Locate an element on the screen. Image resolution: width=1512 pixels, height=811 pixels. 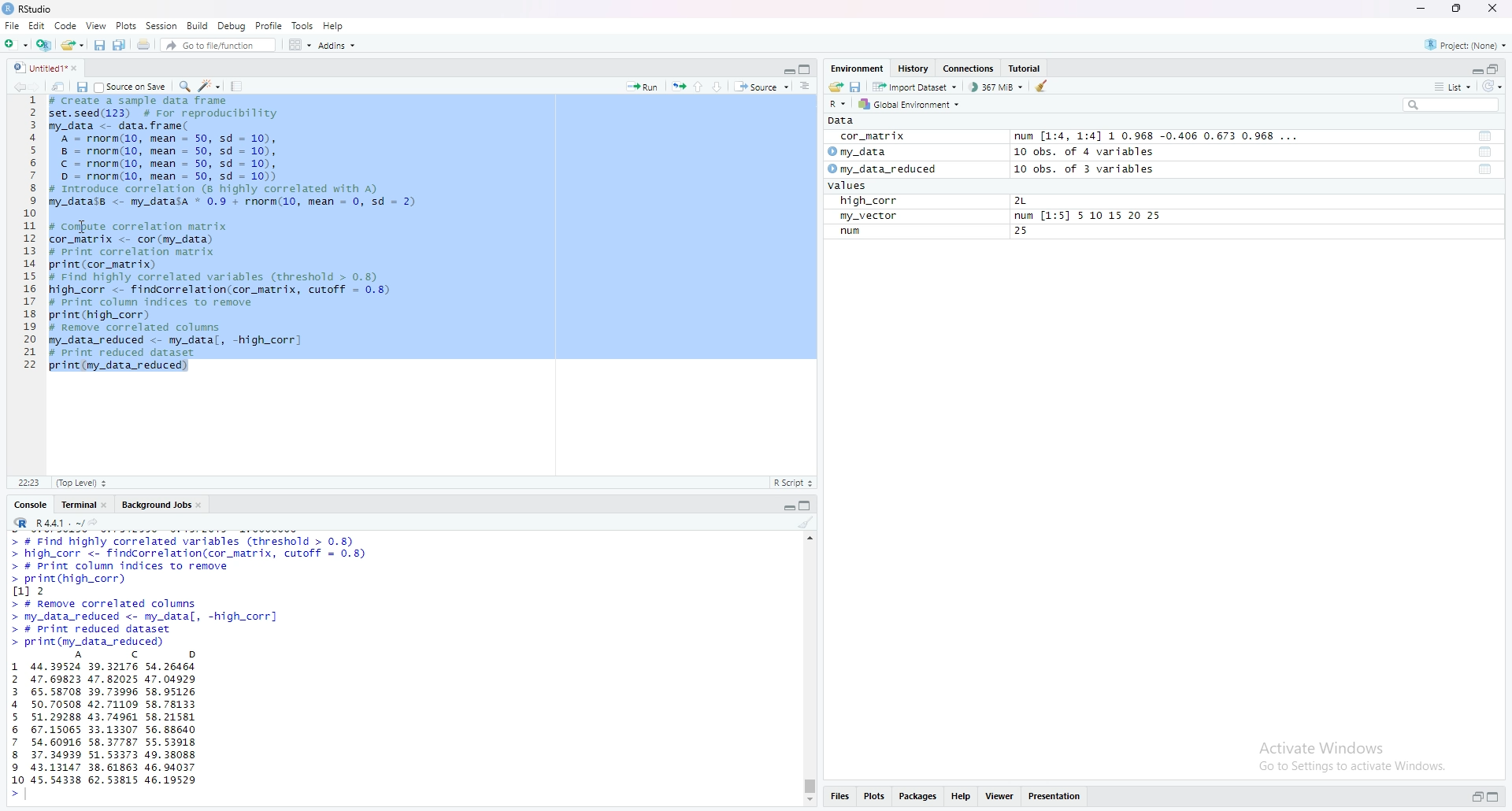
Down  is located at coordinates (717, 87).